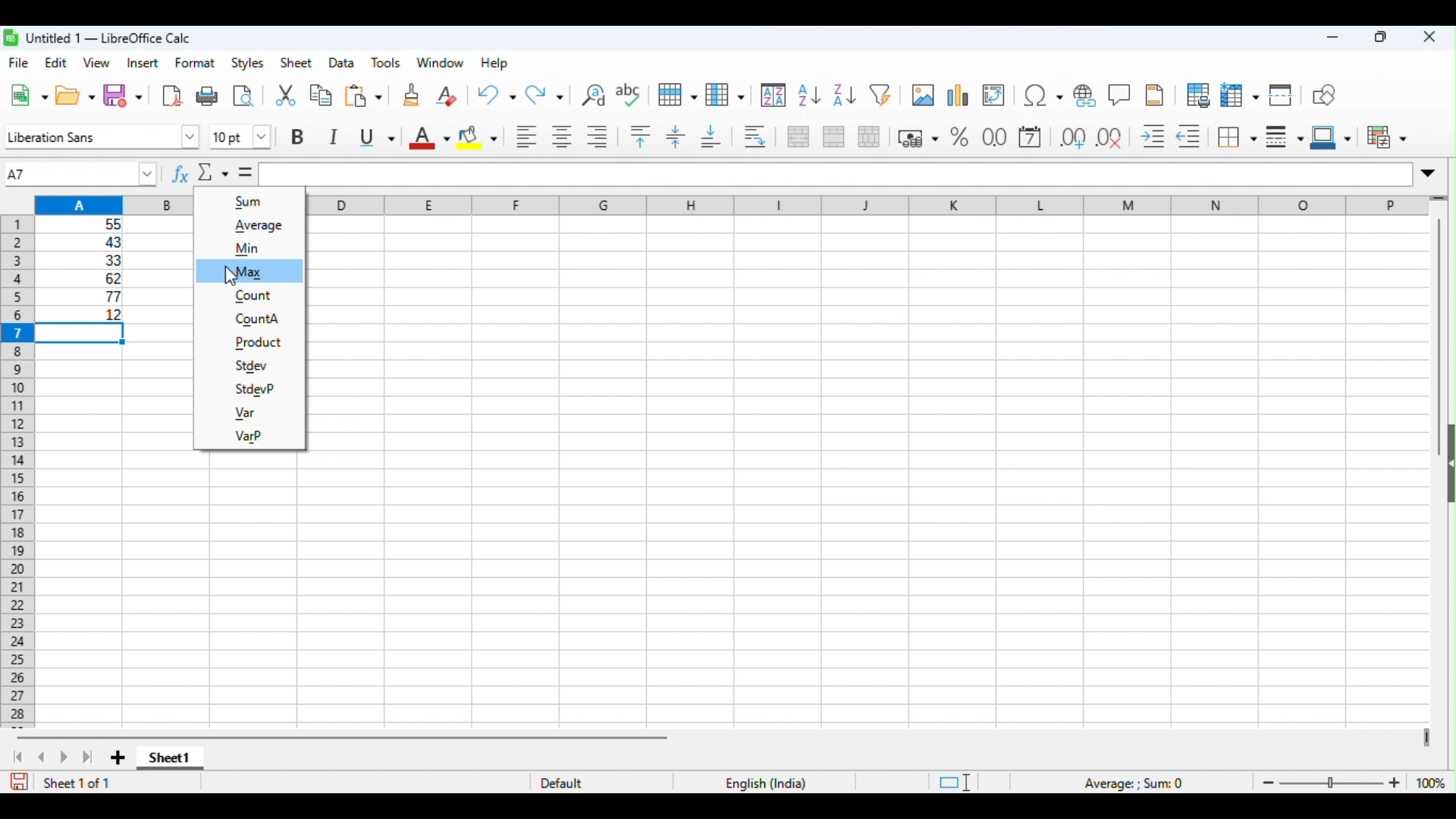 This screenshot has height=819, width=1456. Describe the element at coordinates (1432, 173) in the screenshot. I see `expand` at that location.